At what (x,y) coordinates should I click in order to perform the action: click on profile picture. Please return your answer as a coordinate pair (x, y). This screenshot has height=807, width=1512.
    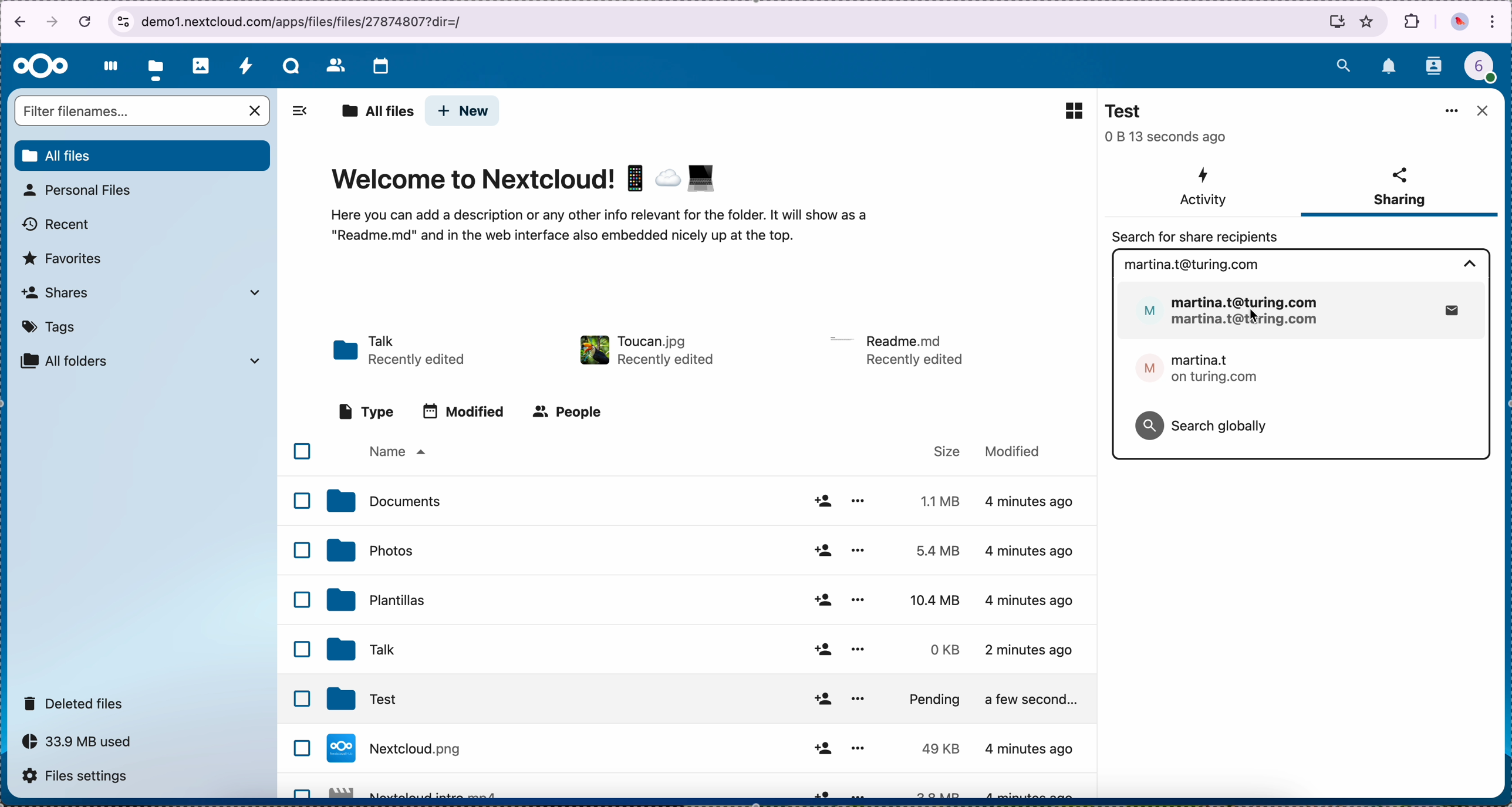
    Looking at the image, I should click on (1460, 23).